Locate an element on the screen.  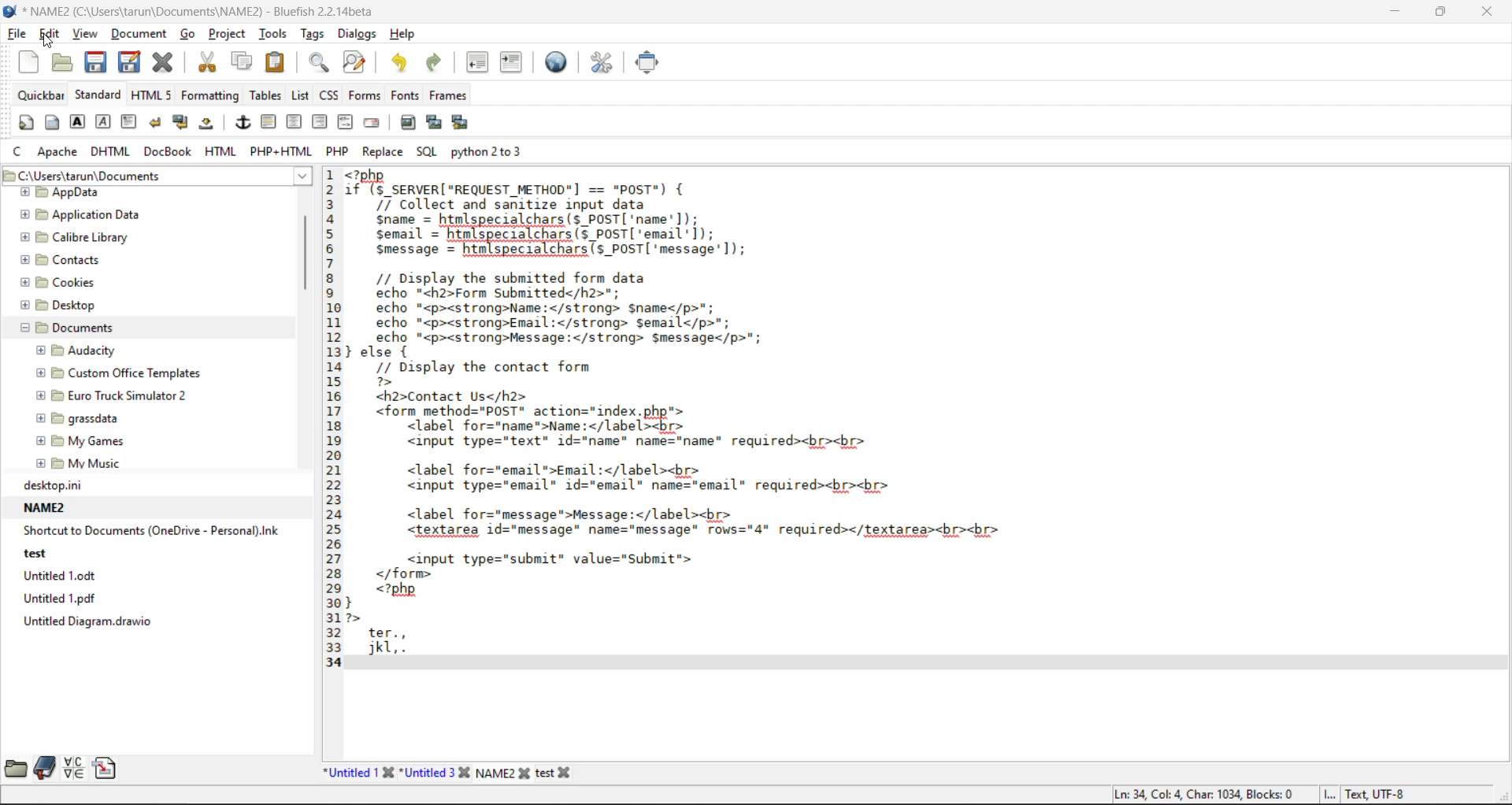
python 2 to 3 is located at coordinates (498, 150).